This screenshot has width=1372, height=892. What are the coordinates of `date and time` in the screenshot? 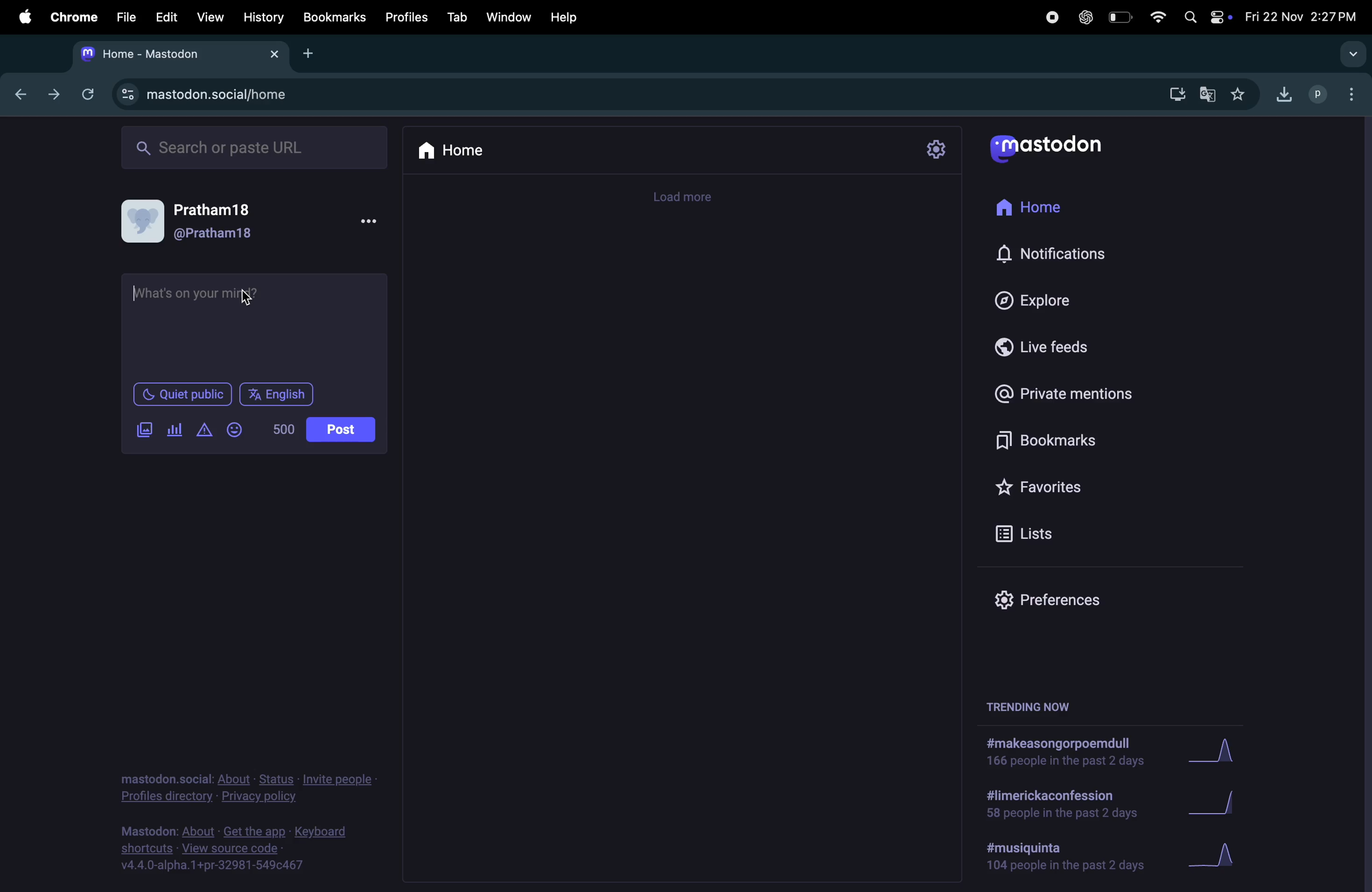 It's located at (1301, 16).